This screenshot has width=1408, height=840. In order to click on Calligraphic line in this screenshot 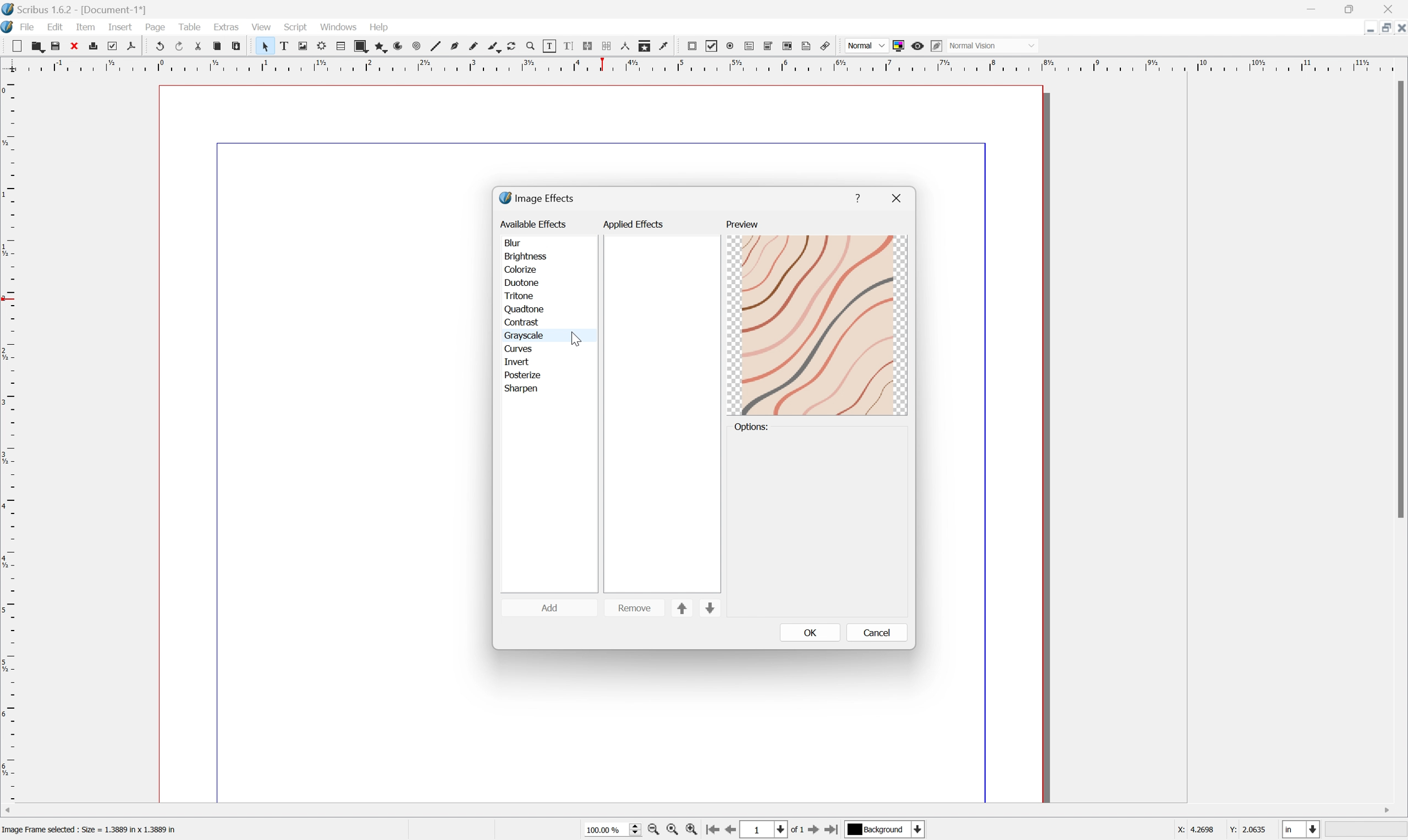, I will do `click(497, 47)`.